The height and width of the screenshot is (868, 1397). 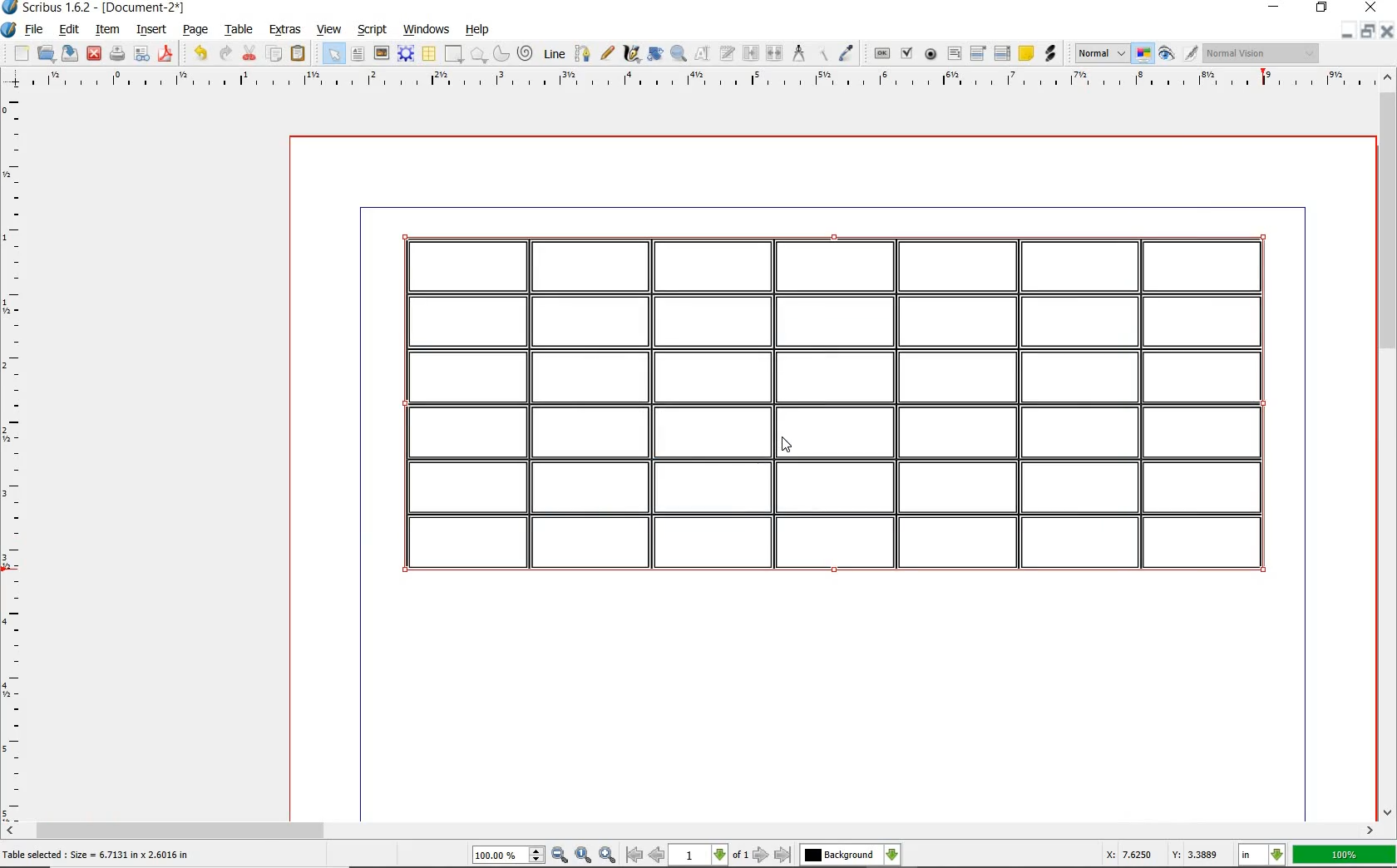 What do you see at coordinates (979, 53) in the screenshot?
I see `pdf combo box` at bounding box center [979, 53].